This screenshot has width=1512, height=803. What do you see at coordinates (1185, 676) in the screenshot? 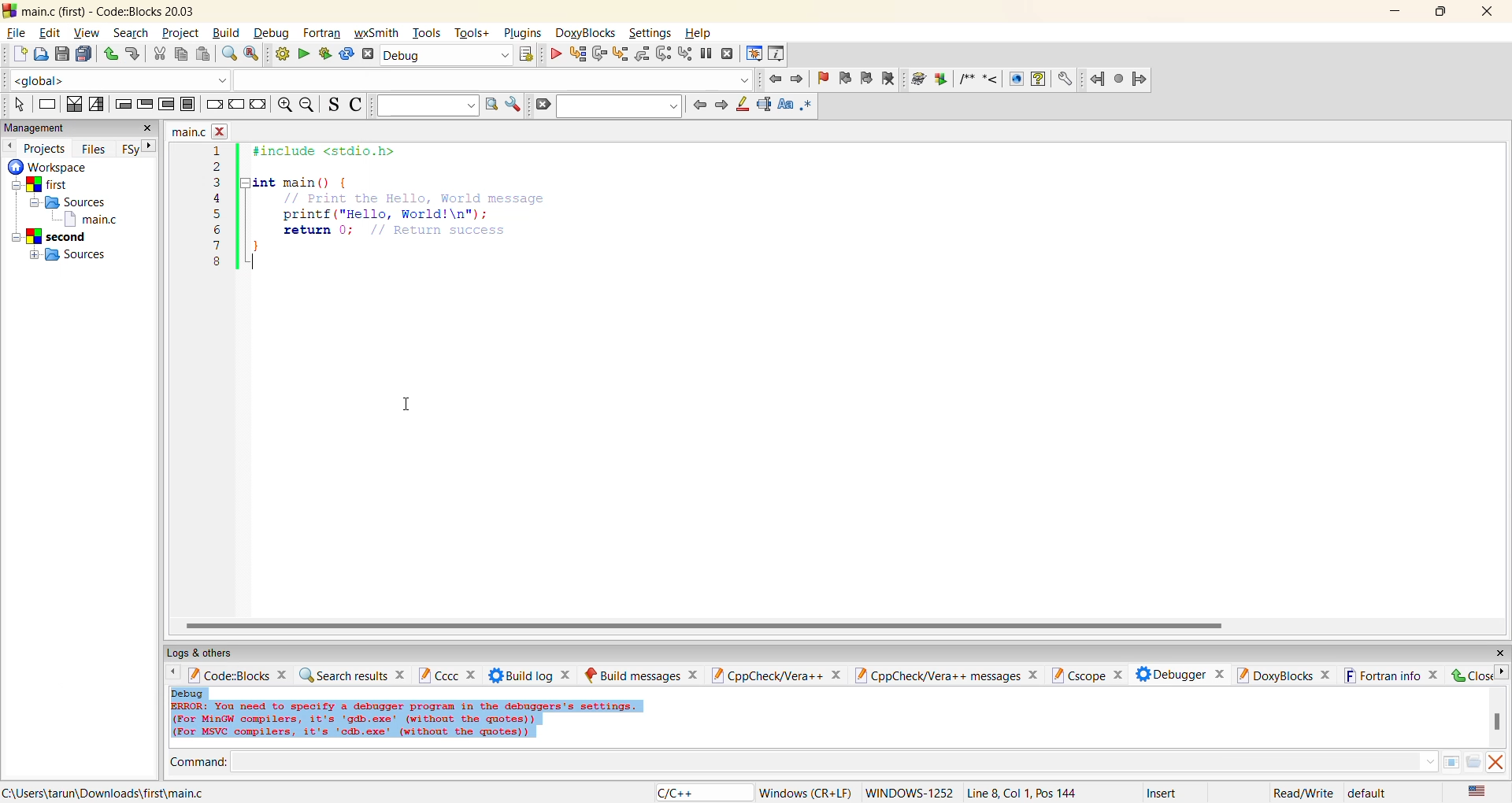
I see `debugger` at bounding box center [1185, 676].